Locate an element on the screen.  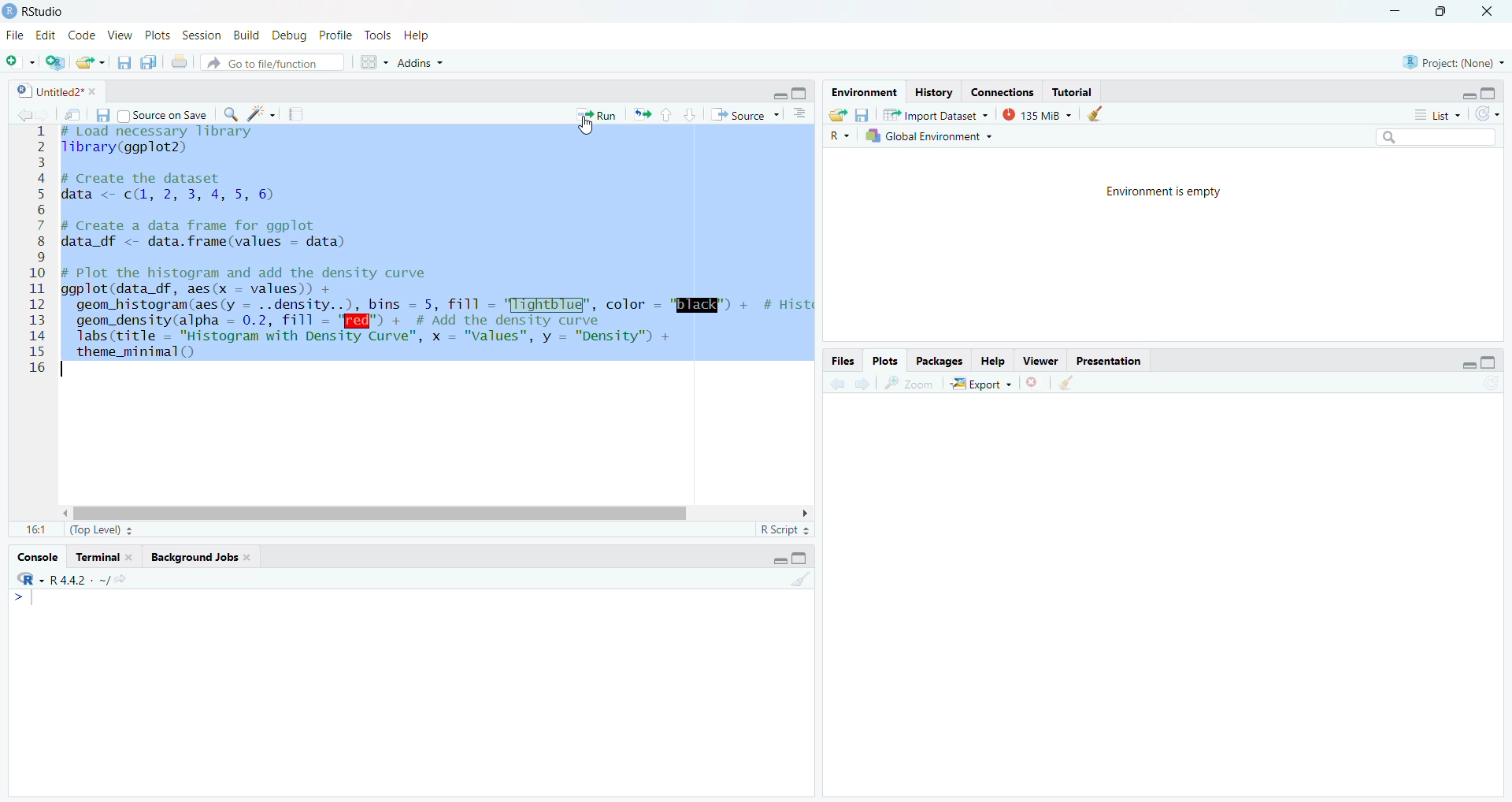
go back to previous source location is located at coordinates (28, 113).